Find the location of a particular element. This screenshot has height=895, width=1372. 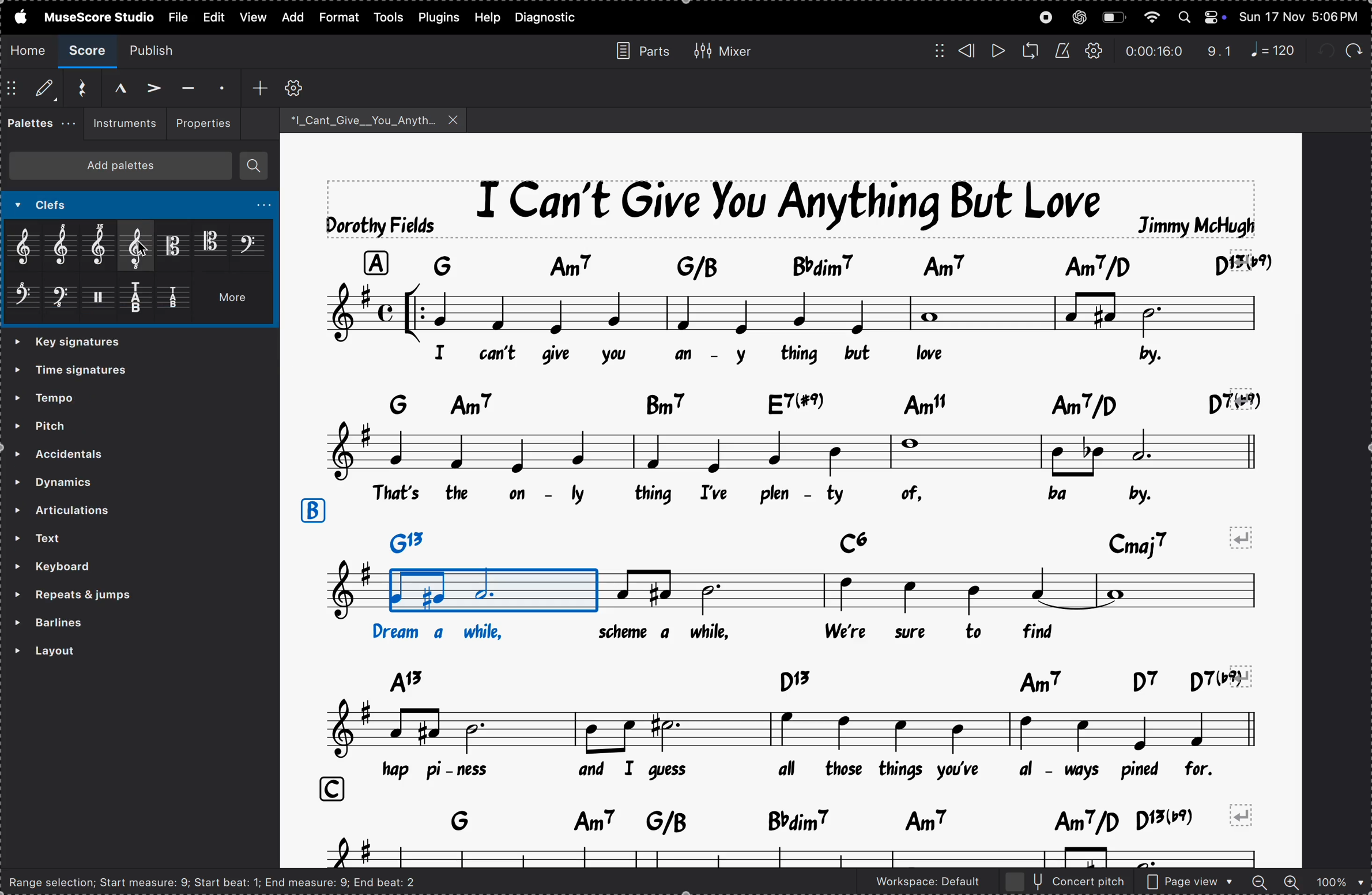

time frame is located at coordinates (1154, 51).